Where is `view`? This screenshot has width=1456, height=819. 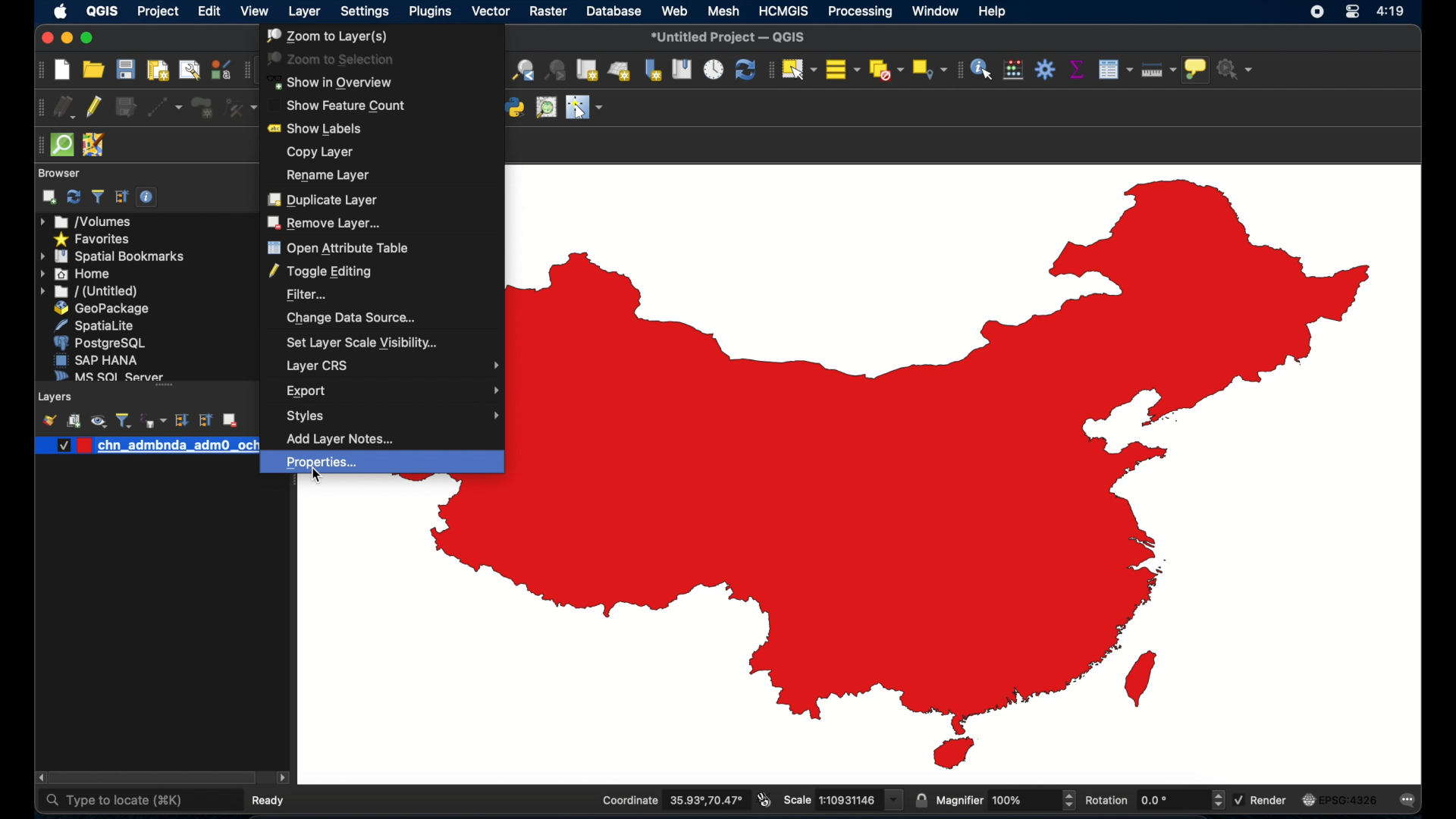 view is located at coordinates (255, 13).